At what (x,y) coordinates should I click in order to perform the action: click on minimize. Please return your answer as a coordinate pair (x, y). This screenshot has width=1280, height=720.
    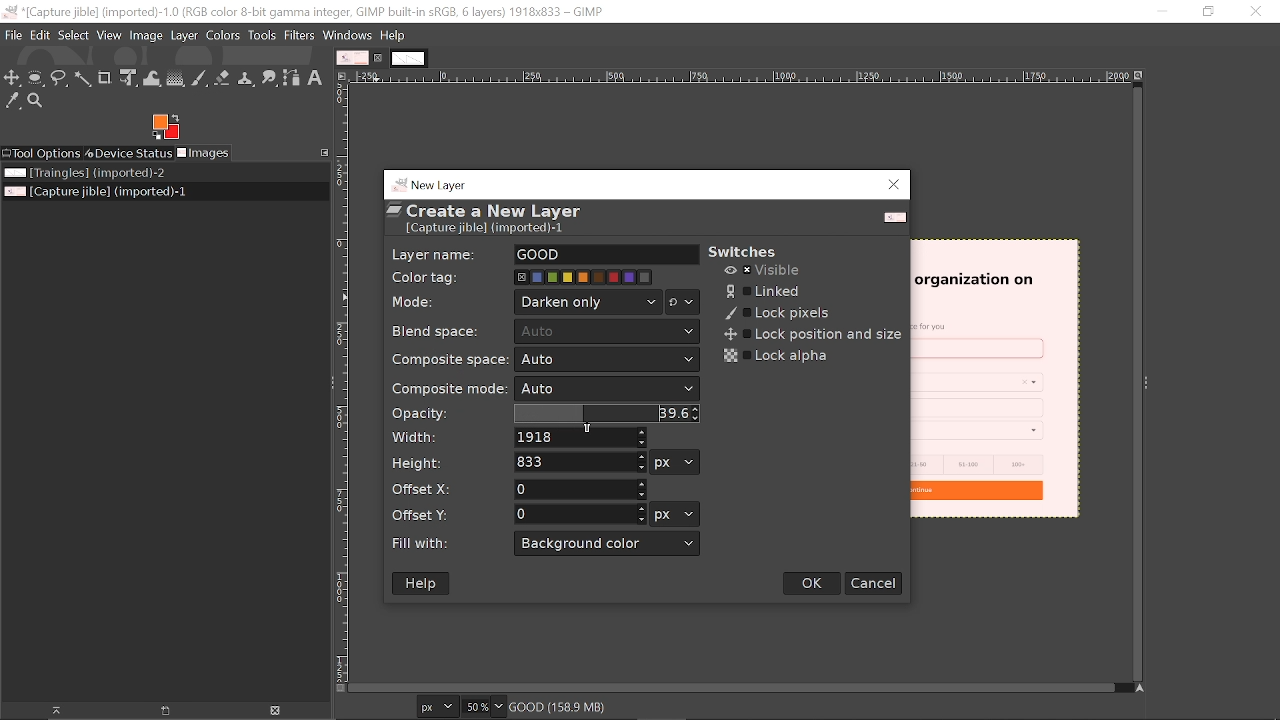
    Looking at the image, I should click on (1155, 11).